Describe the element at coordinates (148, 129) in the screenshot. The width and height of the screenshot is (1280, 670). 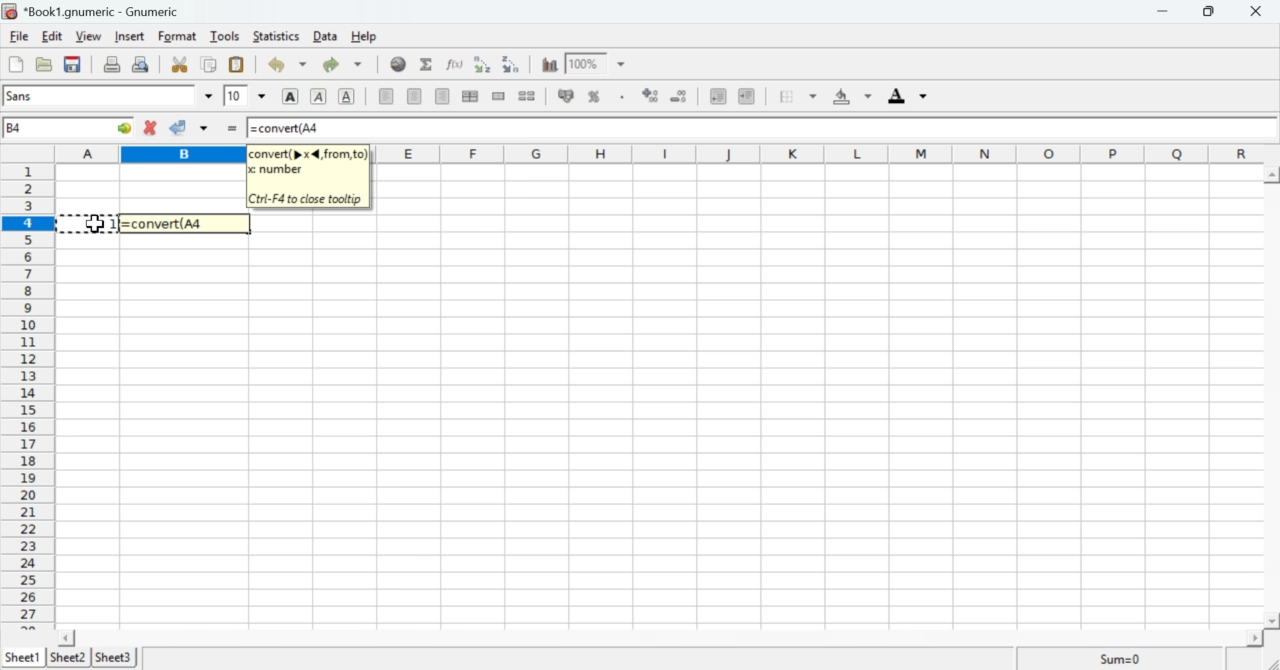
I see `Cancel change` at that location.